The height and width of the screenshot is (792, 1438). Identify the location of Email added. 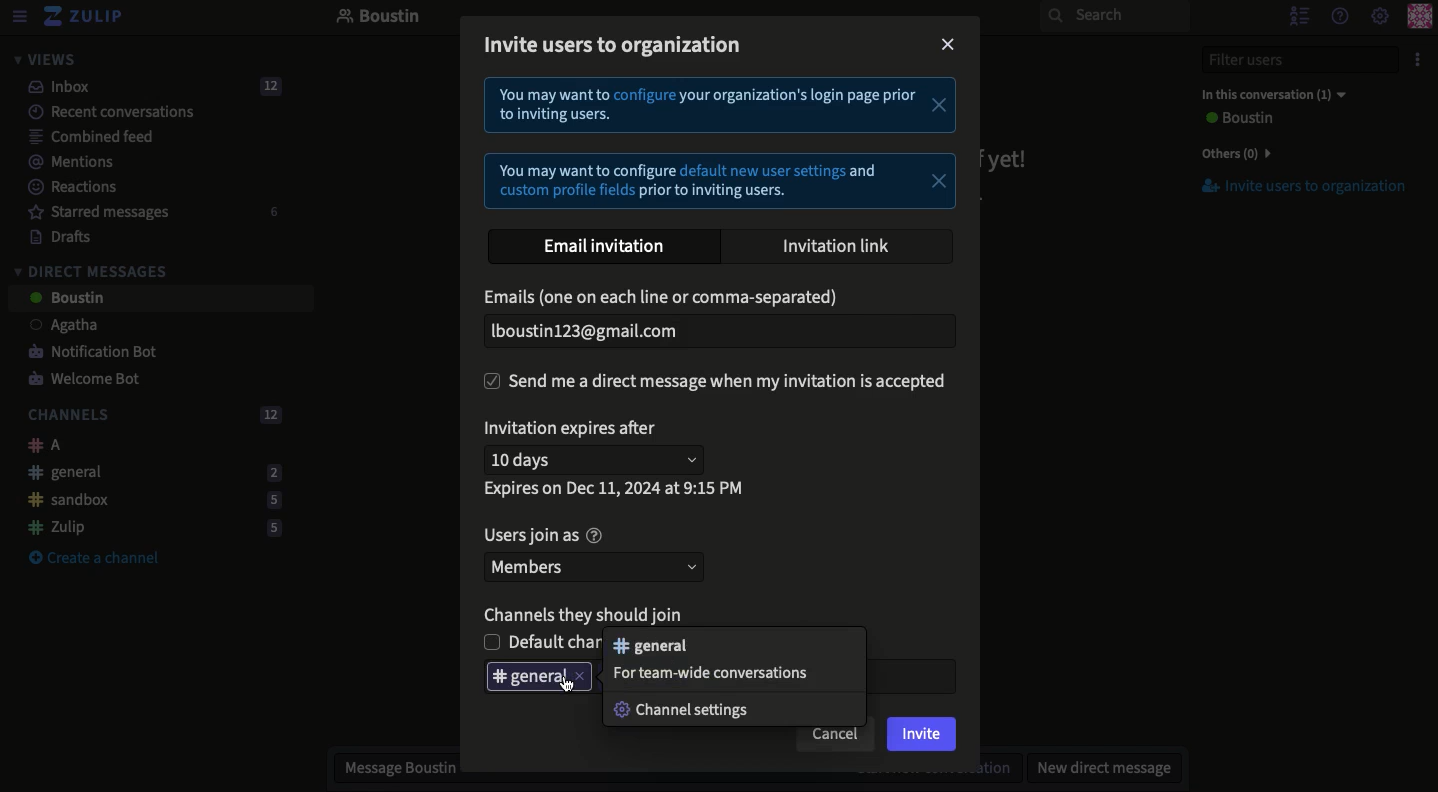
(714, 332).